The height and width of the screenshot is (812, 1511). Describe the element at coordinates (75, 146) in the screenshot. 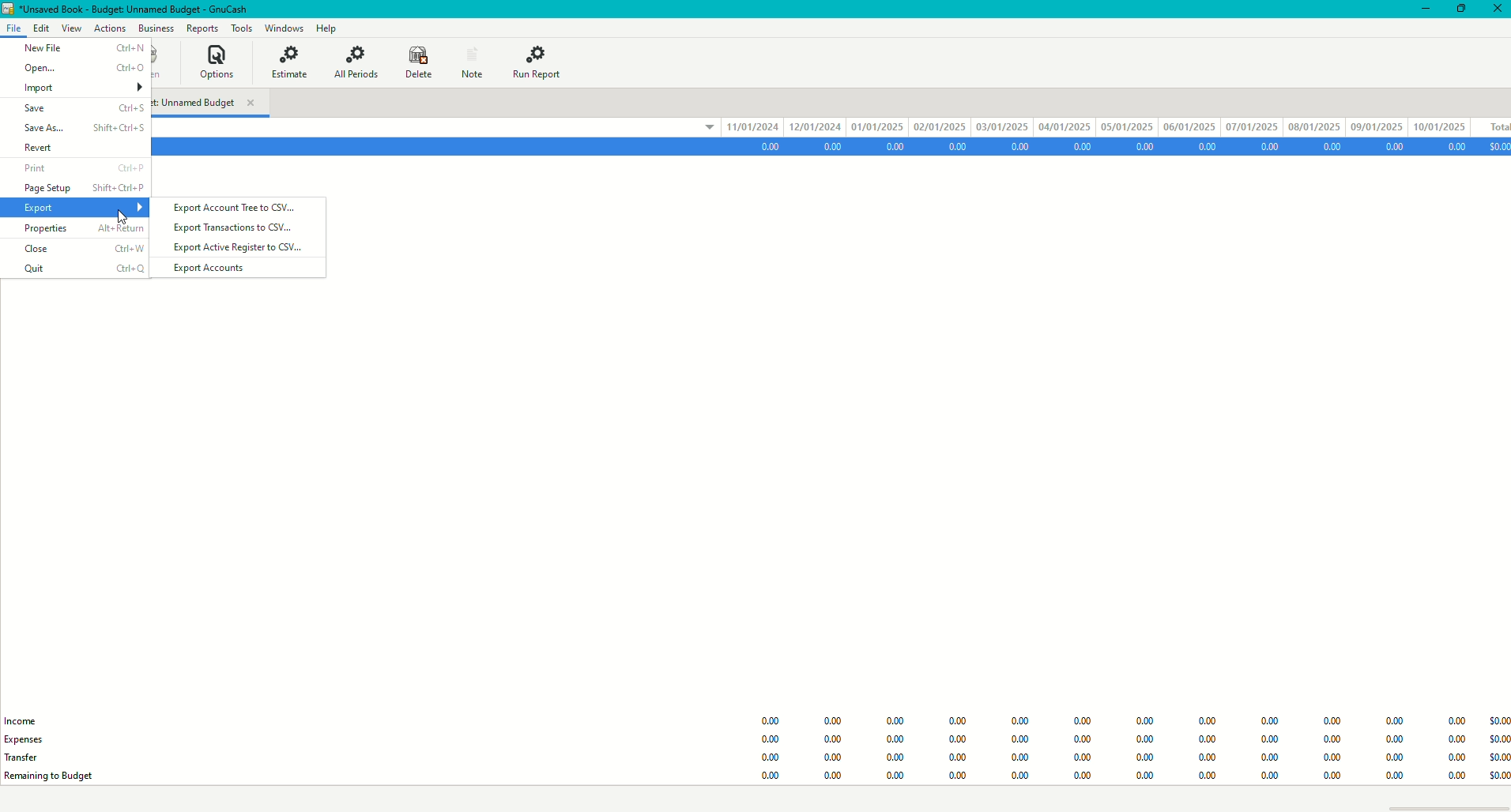

I see `Reset` at that location.